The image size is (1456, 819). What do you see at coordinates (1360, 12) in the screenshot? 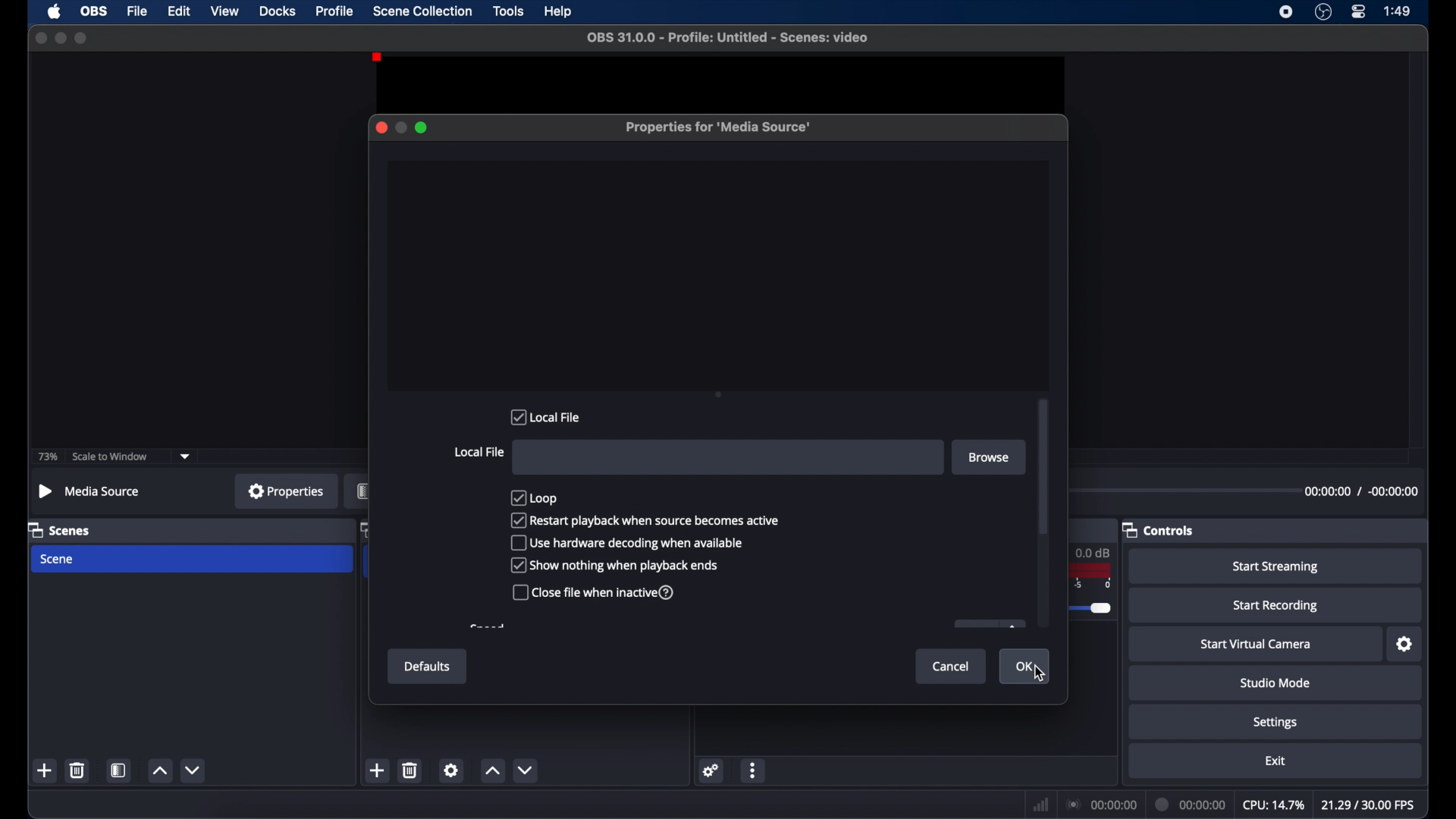
I see `control center` at bounding box center [1360, 12].